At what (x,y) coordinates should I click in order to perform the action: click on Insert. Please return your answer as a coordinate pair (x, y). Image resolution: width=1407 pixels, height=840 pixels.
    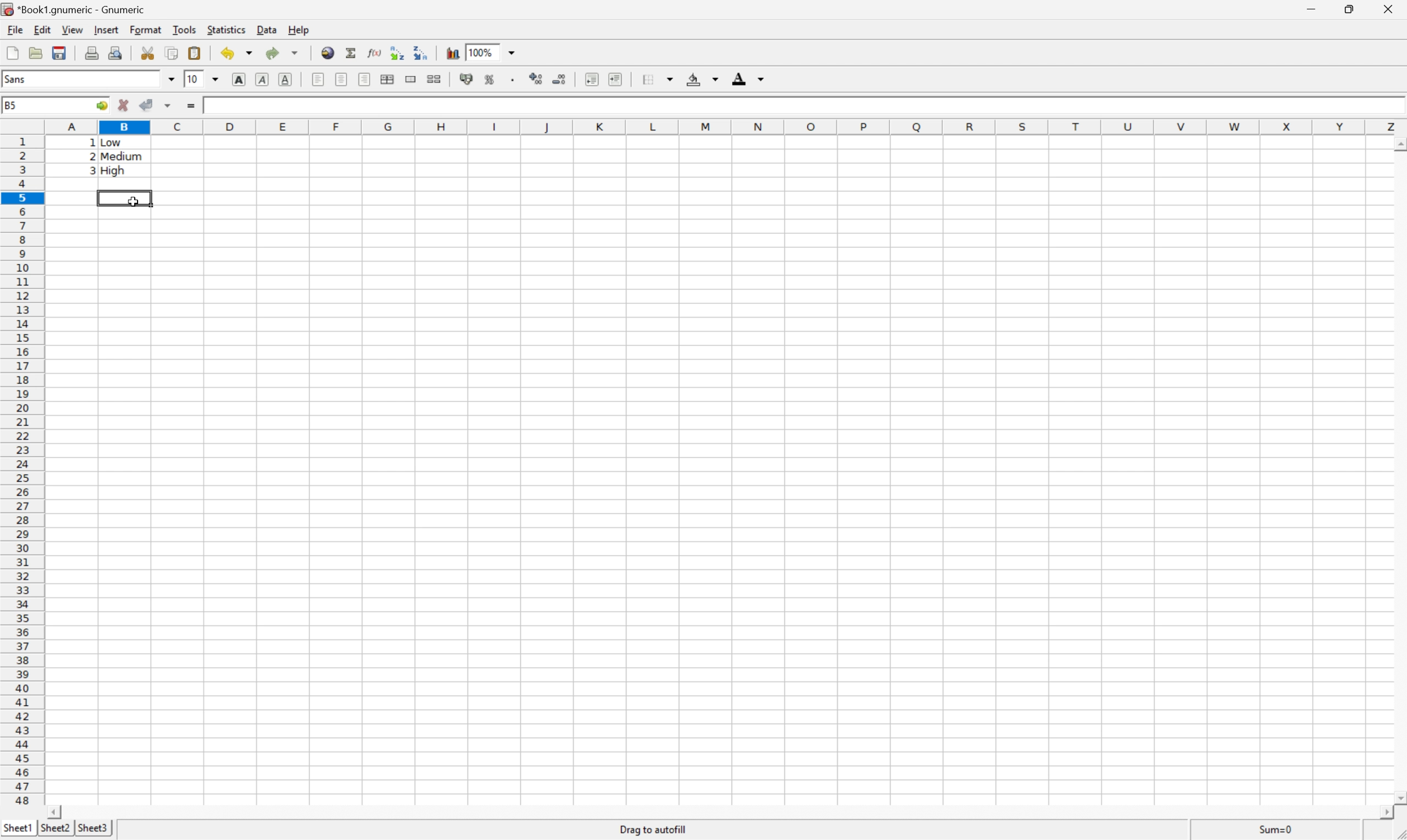
    Looking at the image, I should click on (106, 28).